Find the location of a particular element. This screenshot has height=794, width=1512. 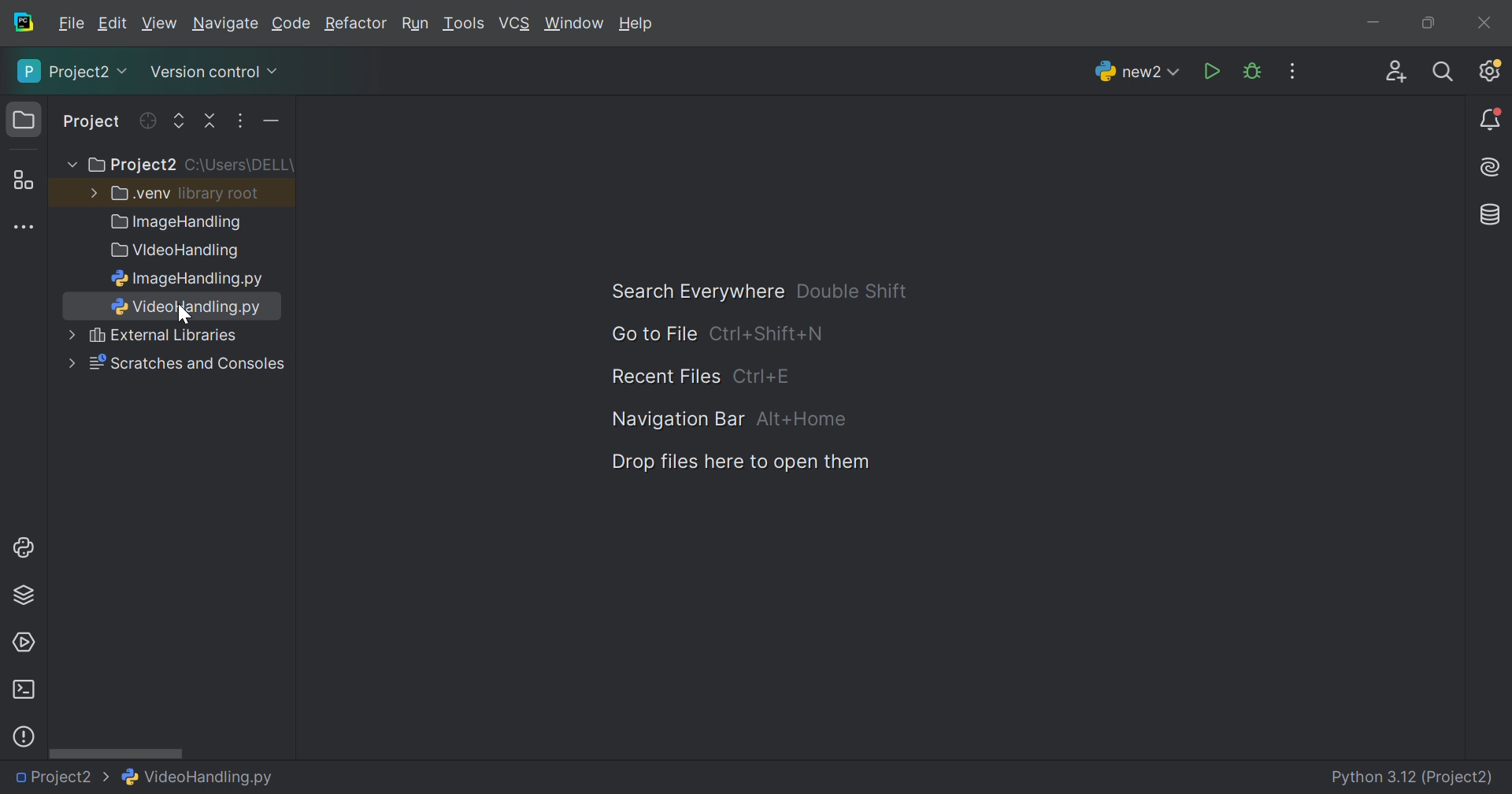

External Libraries is located at coordinates (165, 336).